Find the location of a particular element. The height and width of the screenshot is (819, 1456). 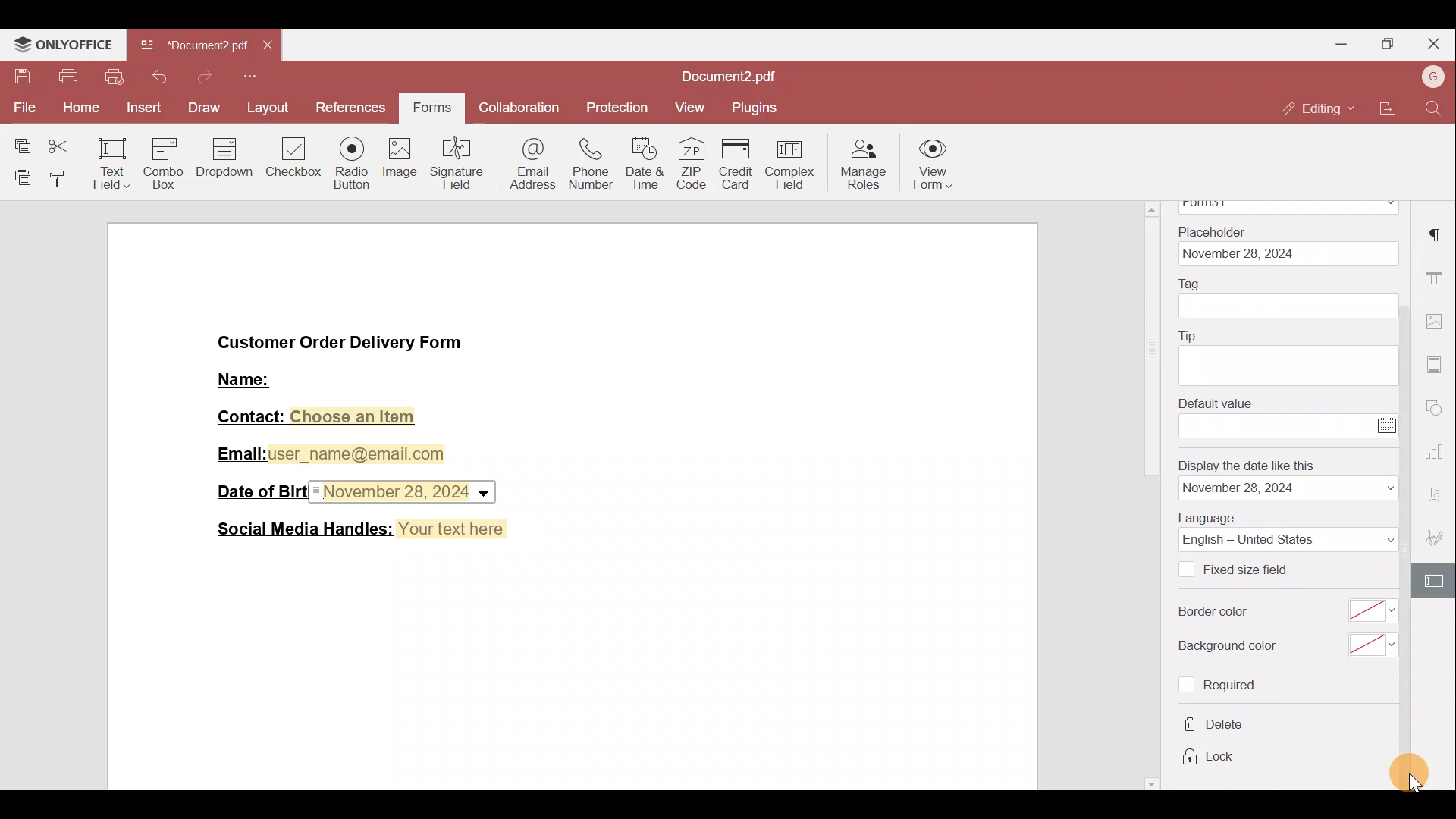

Checkbox  is located at coordinates (1187, 685).